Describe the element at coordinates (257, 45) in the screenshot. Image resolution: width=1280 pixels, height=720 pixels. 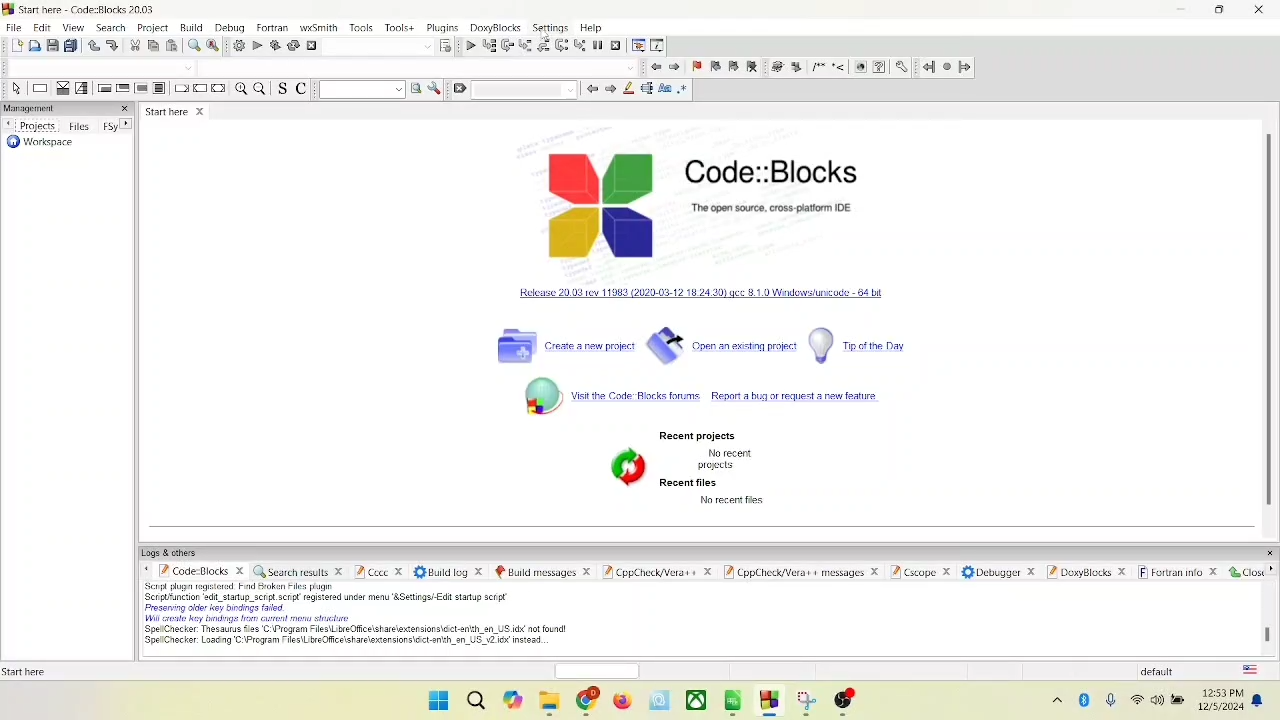
I see `run` at that location.